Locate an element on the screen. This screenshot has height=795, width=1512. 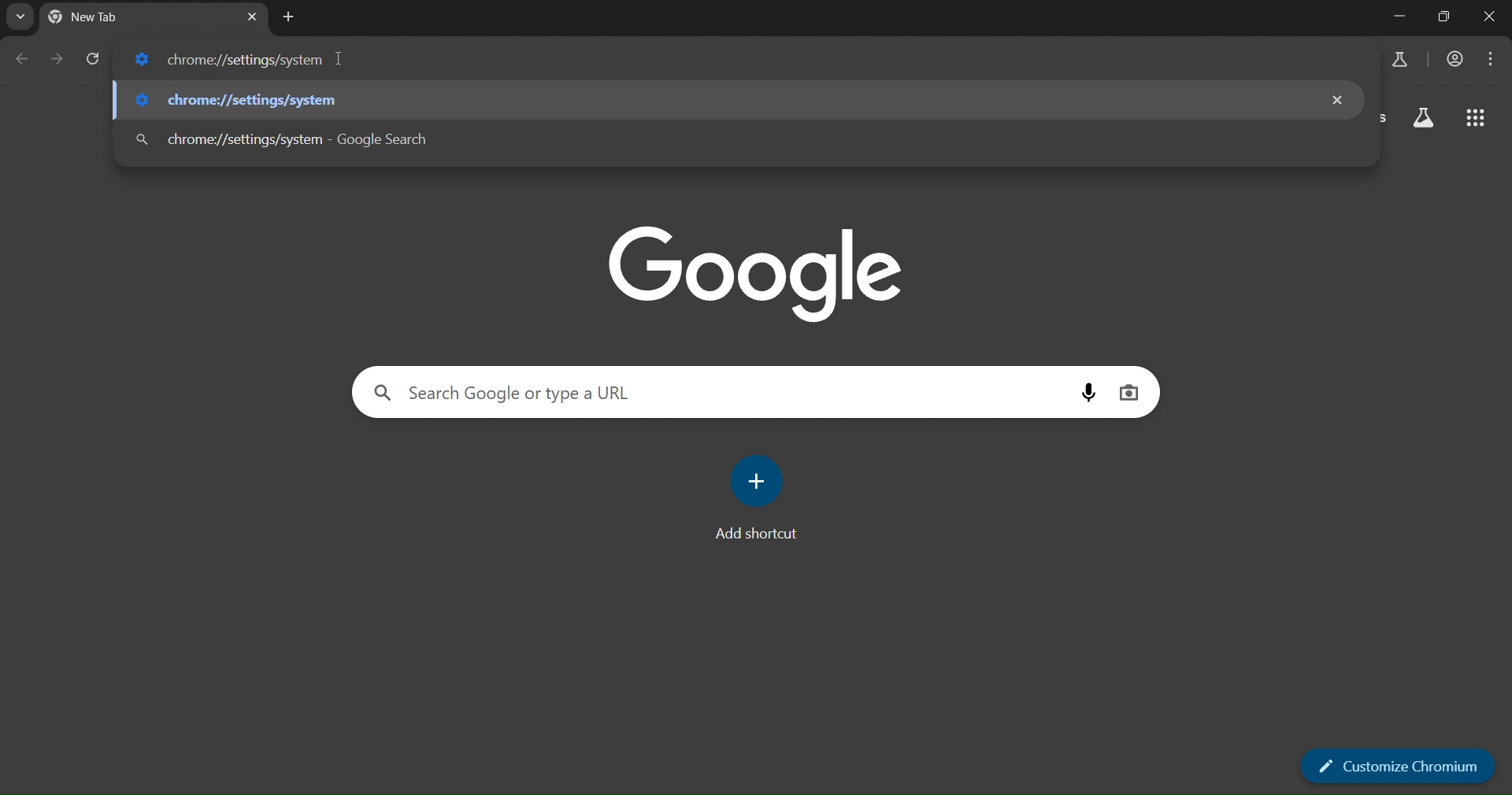
new tab is located at coordinates (291, 19).